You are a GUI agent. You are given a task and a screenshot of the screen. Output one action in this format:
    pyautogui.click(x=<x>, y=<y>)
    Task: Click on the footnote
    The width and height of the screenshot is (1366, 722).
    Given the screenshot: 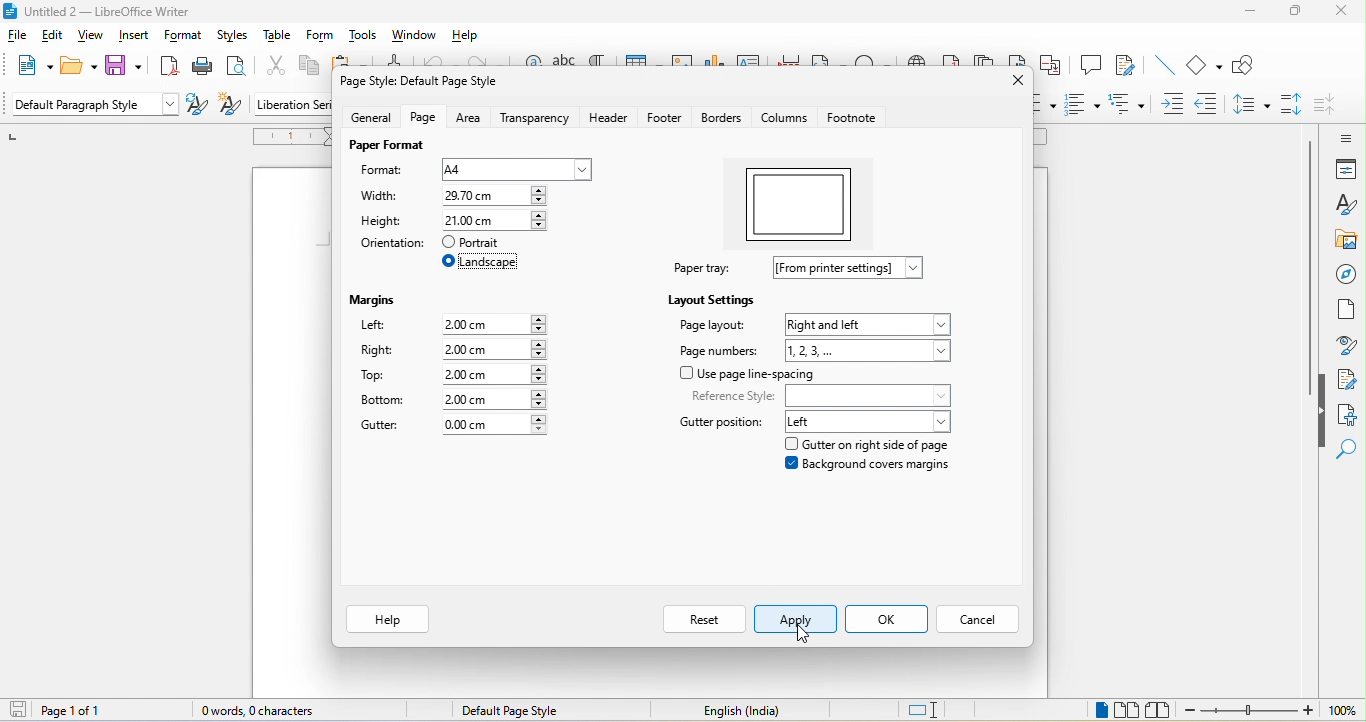 What is the action you would take?
    pyautogui.click(x=854, y=119)
    